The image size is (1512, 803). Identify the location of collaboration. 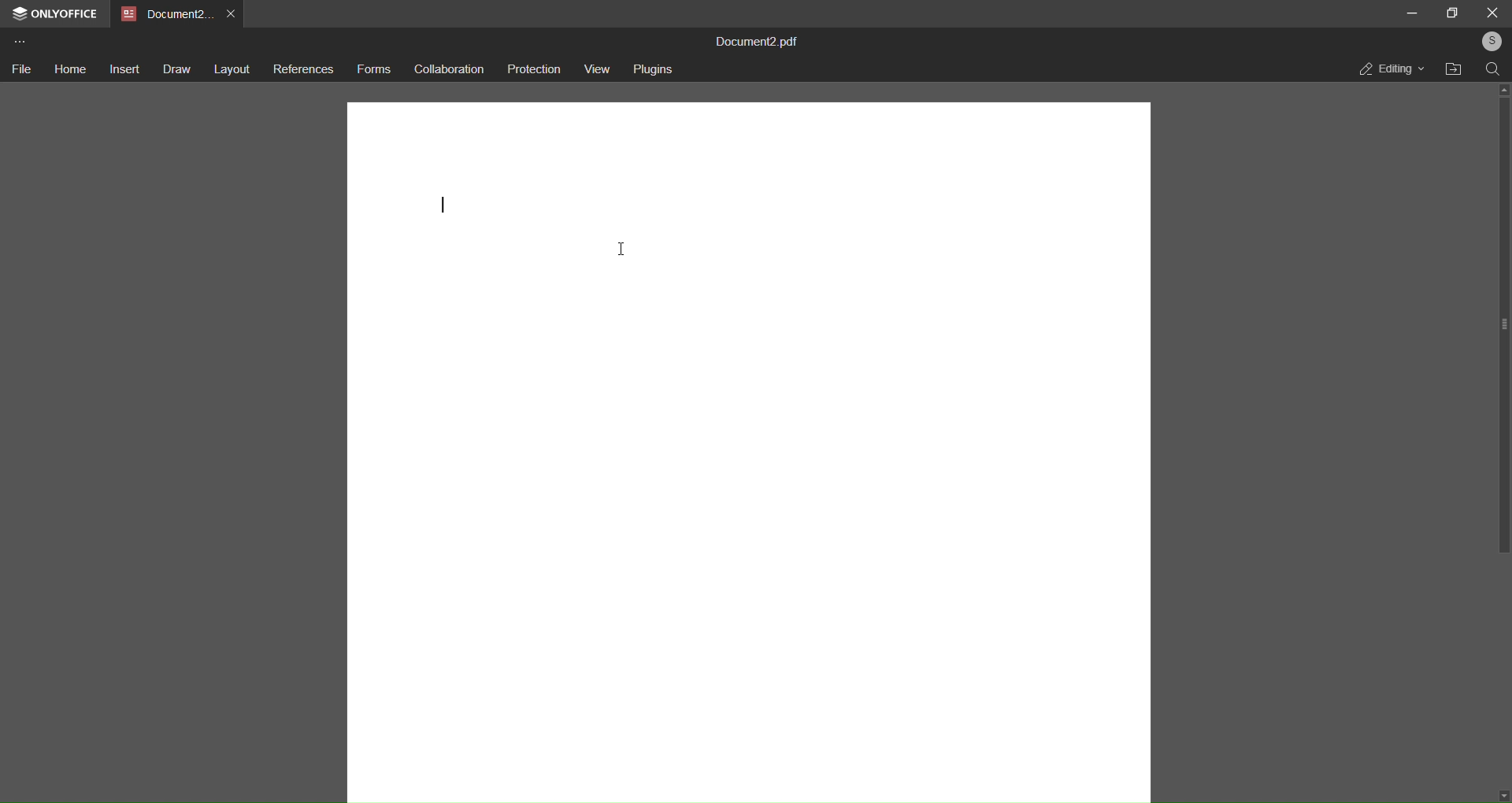
(447, 70).